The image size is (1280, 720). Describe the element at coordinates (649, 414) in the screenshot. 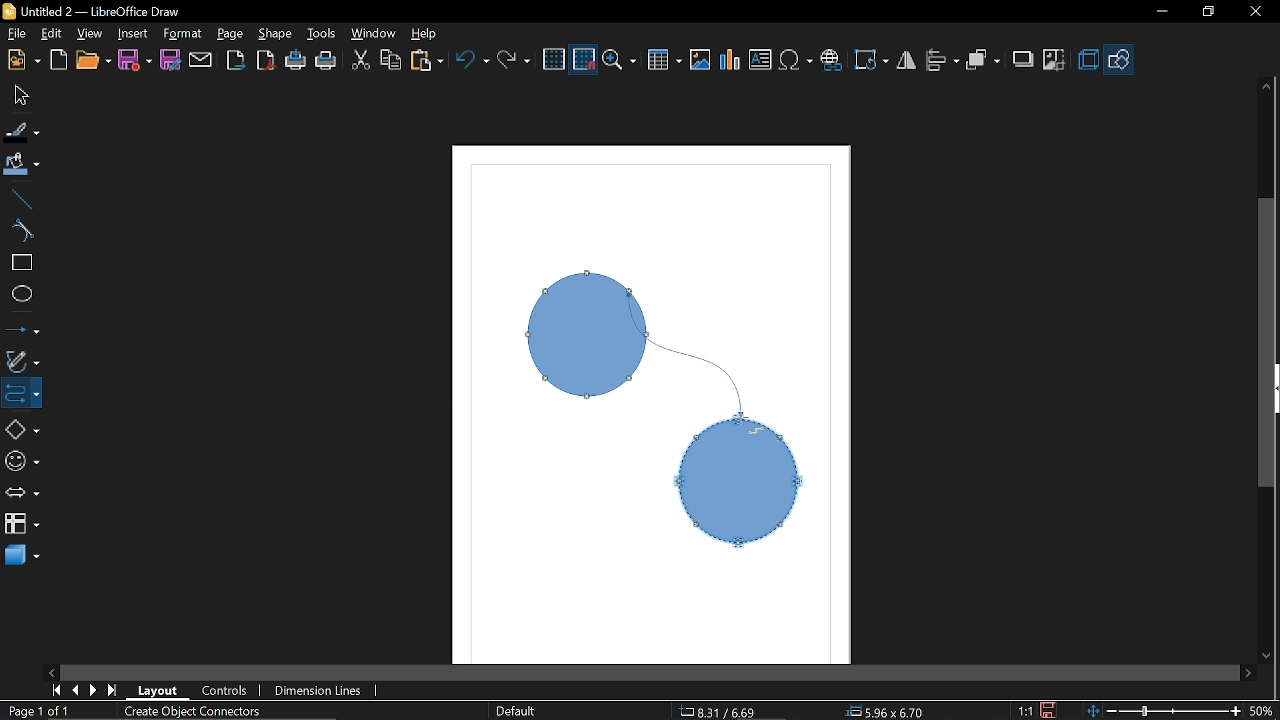

I see `Current shapes` at that location.